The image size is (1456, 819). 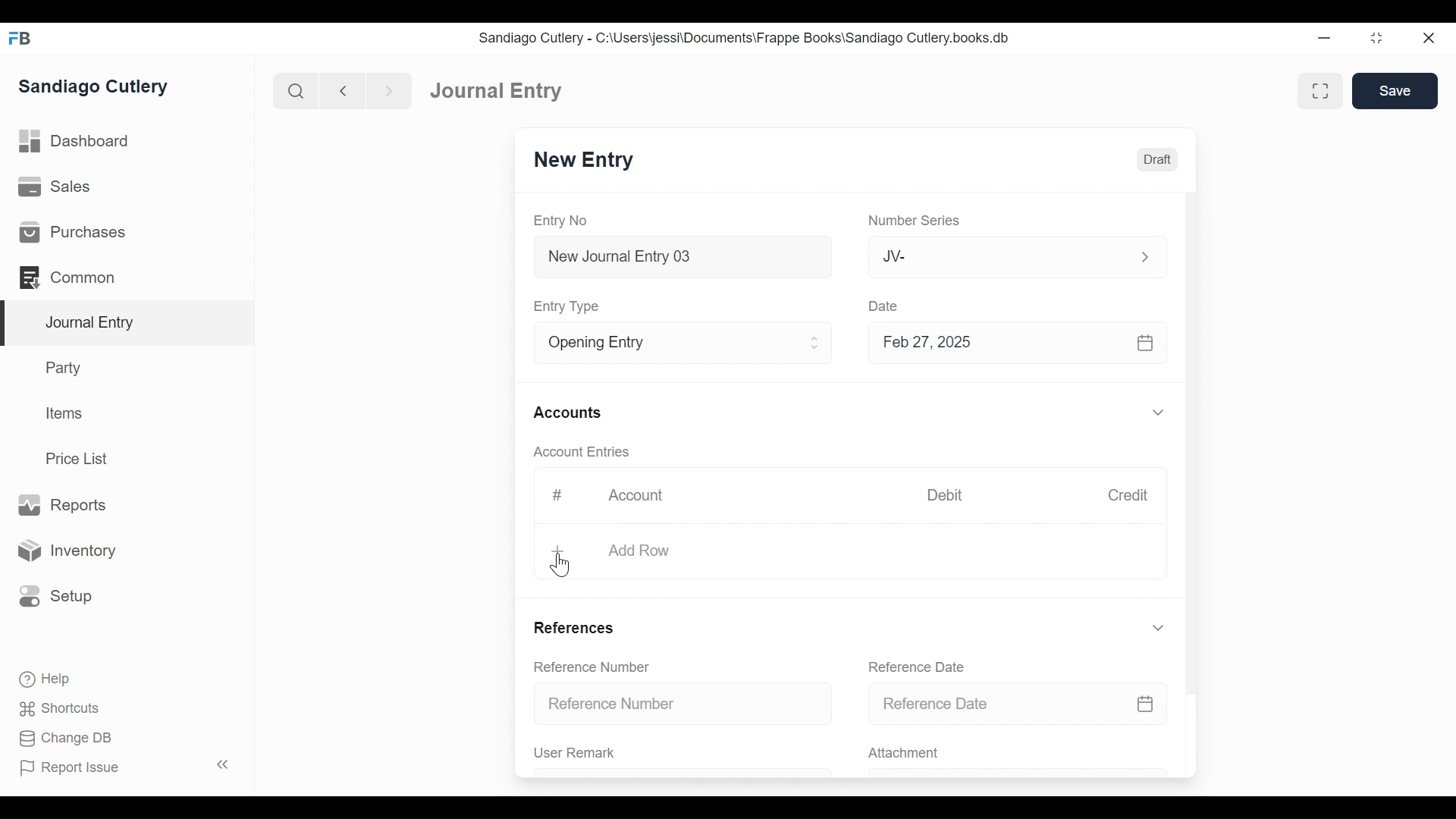 What do you see at coordinates (886, 306) in the screenshot?
I see `Date` at bounding box center [886, 306].